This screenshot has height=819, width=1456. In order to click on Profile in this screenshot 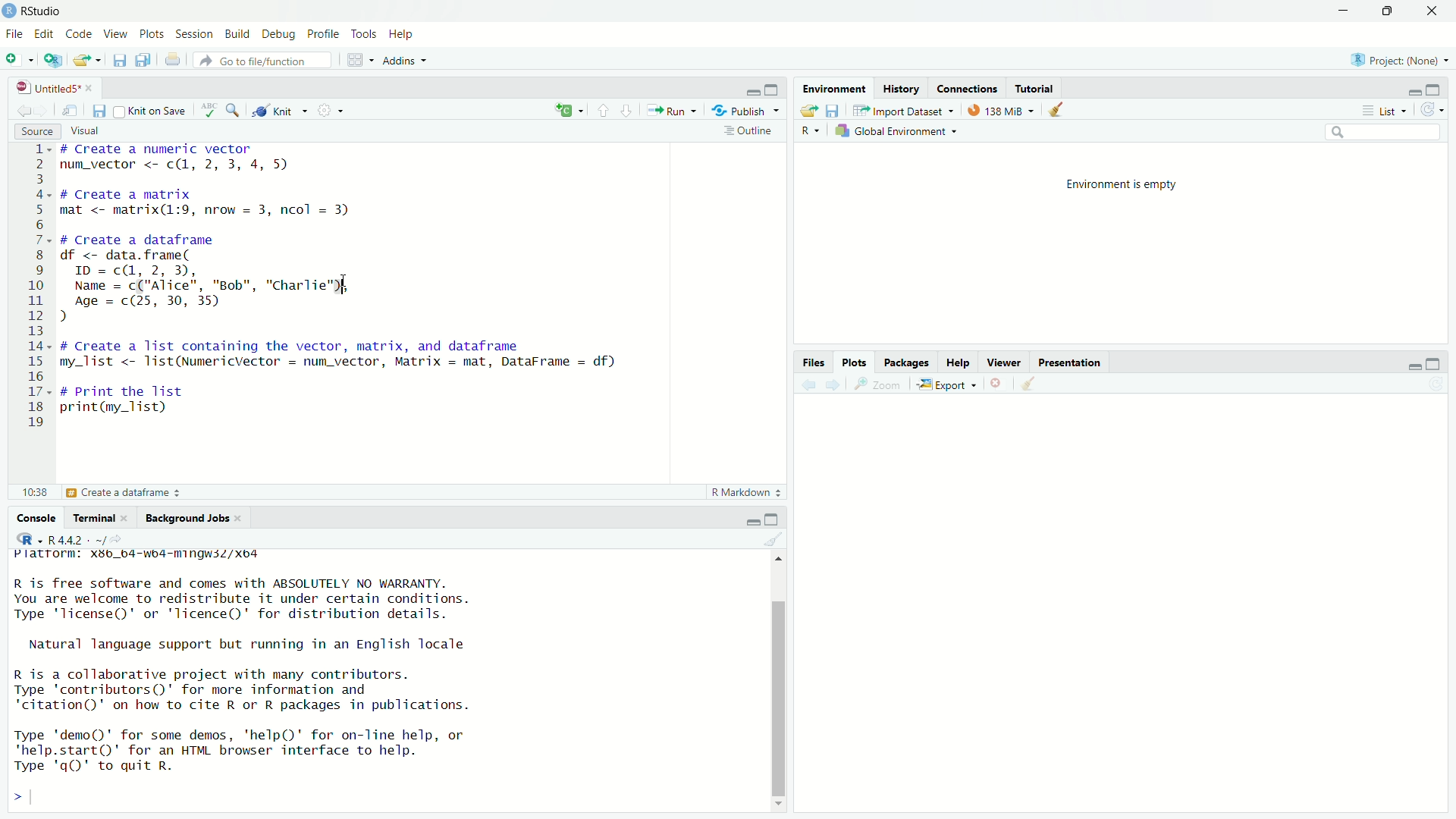, I will do `click(322, 33)`.